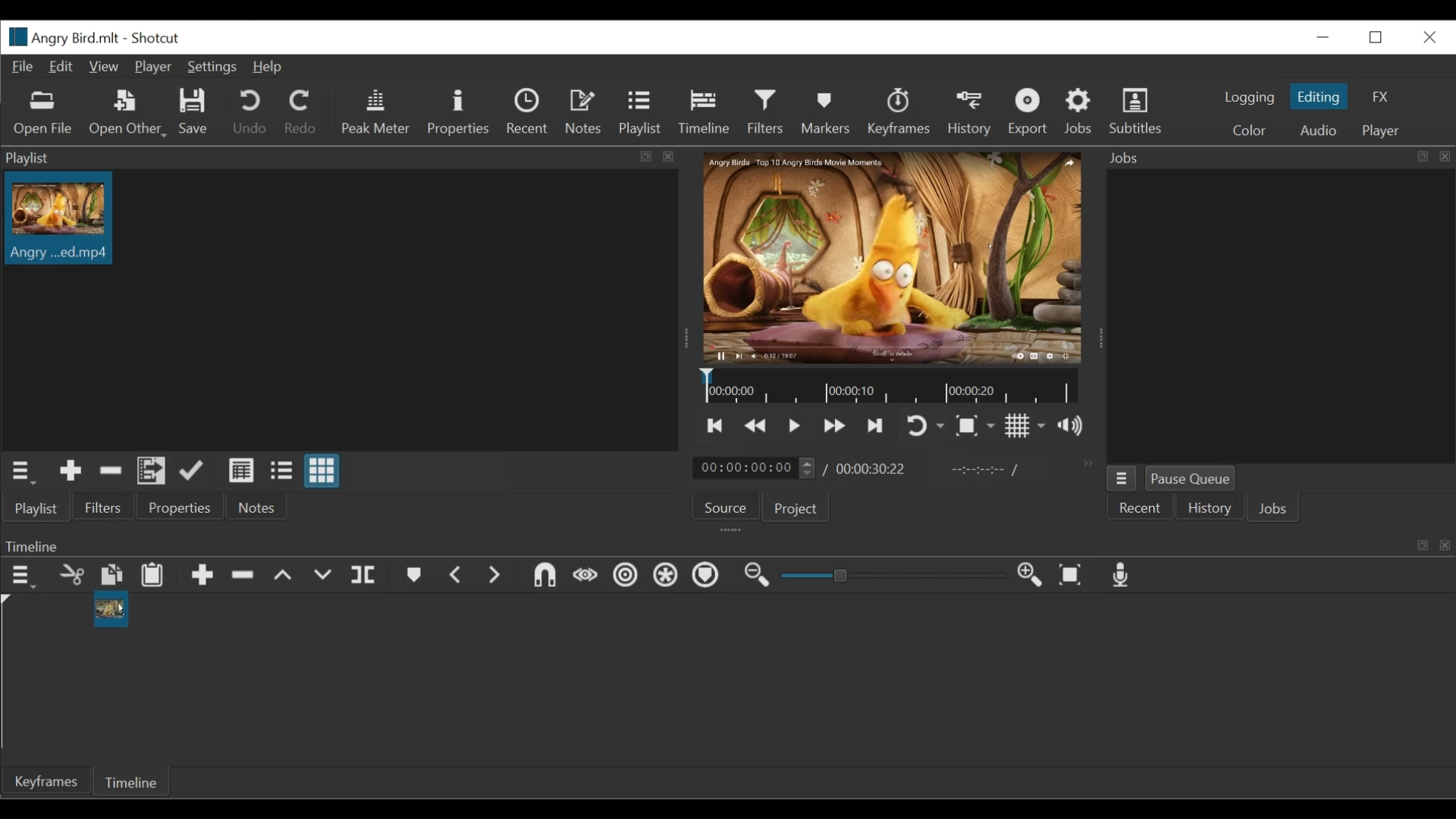  I want to click on Record audio, so click(1122, 576).